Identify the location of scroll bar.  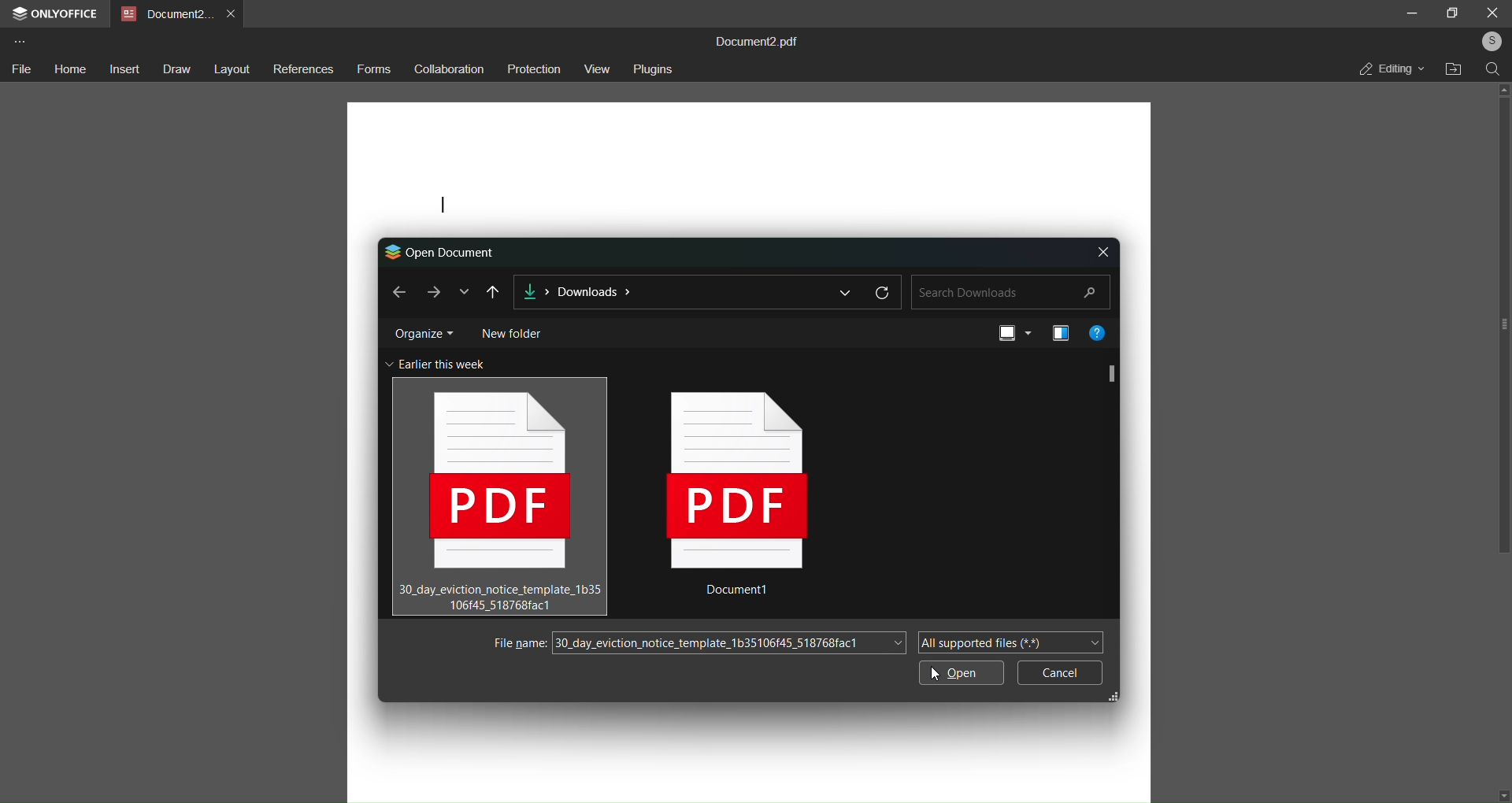
(1505, 328).